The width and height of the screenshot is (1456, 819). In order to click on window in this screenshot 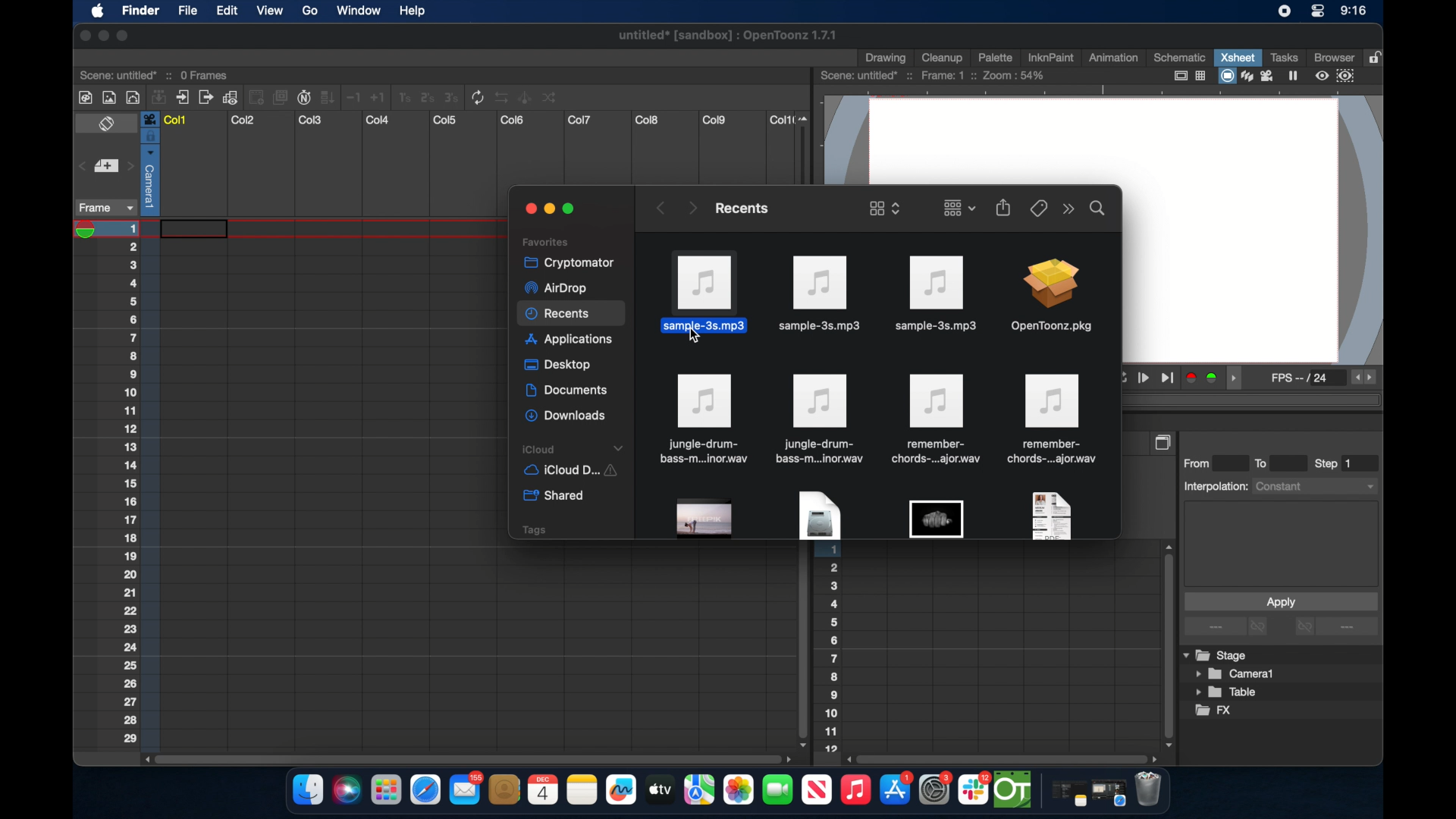, I will do `click(354, 11)`.